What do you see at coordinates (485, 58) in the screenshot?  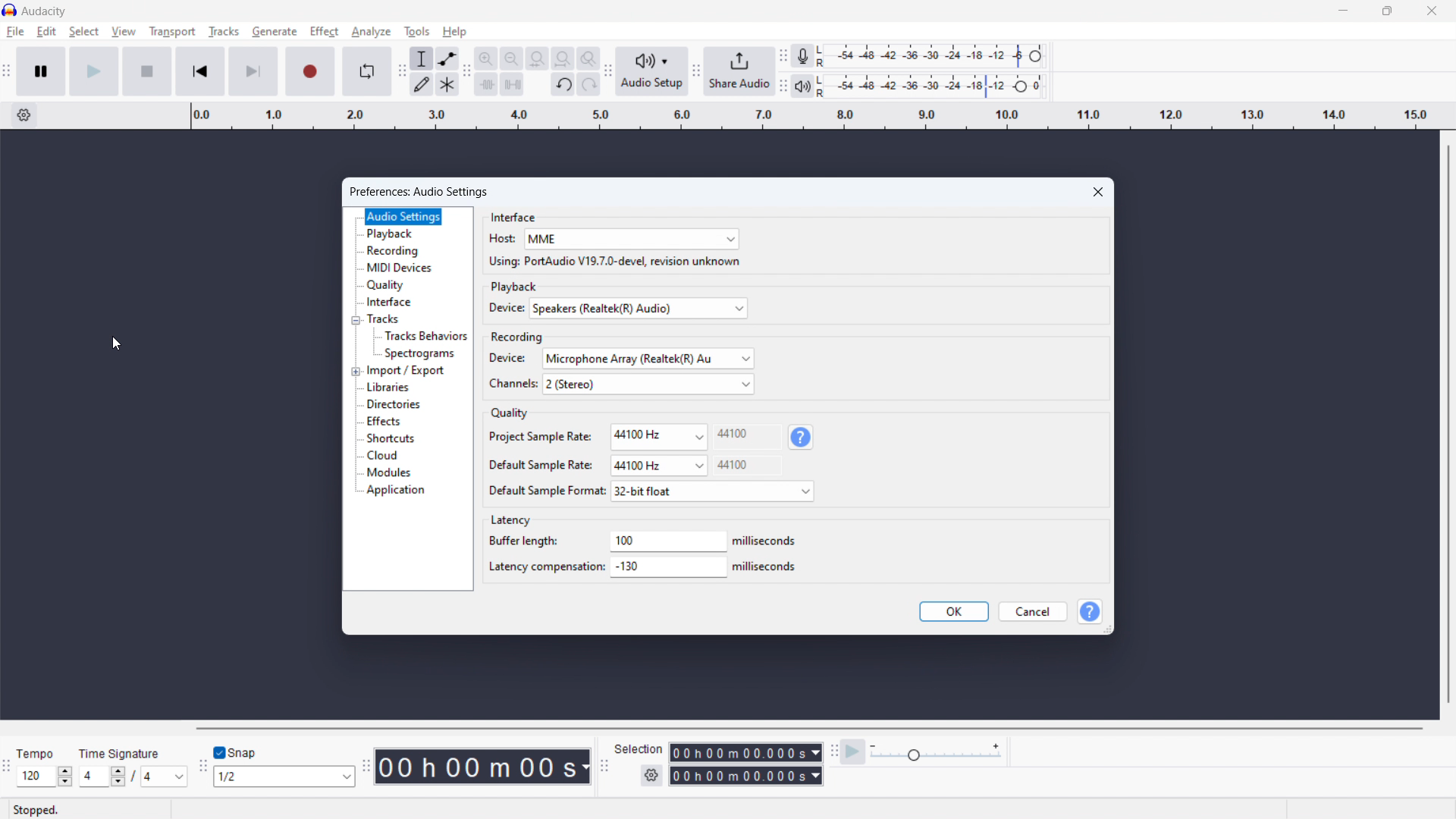 I see `zoom in` at bounding box center [485, 58].